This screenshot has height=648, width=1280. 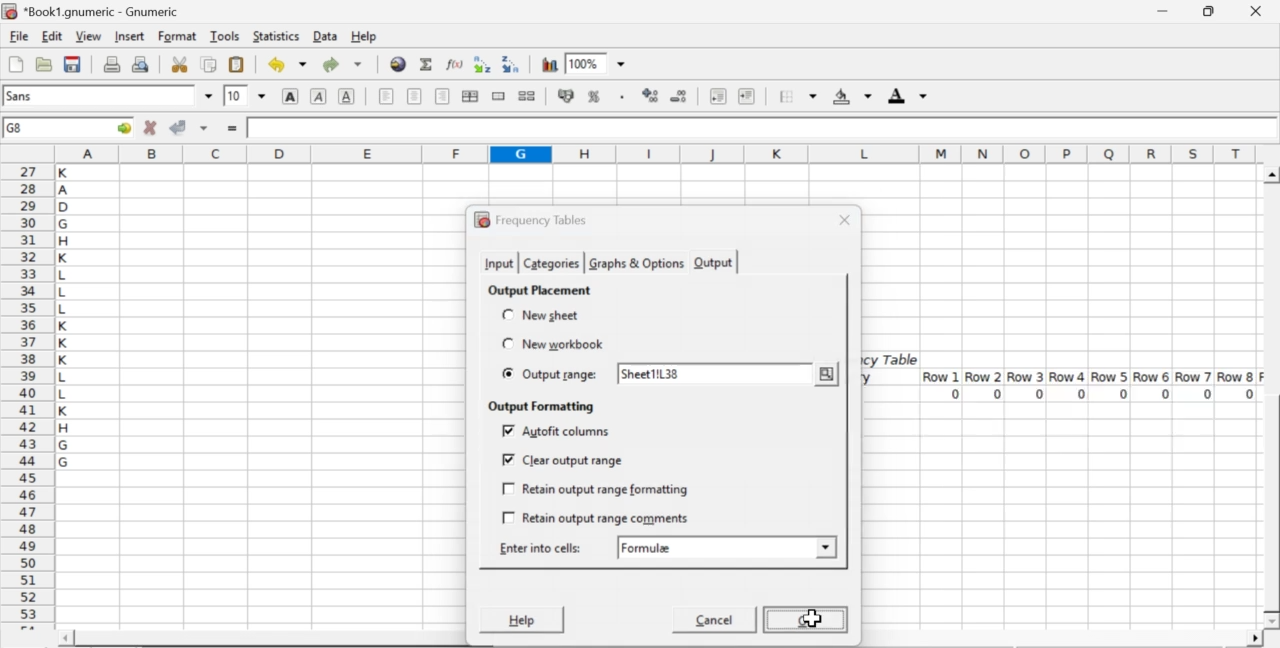 I want to click on categories, so click(x=550, y=263).